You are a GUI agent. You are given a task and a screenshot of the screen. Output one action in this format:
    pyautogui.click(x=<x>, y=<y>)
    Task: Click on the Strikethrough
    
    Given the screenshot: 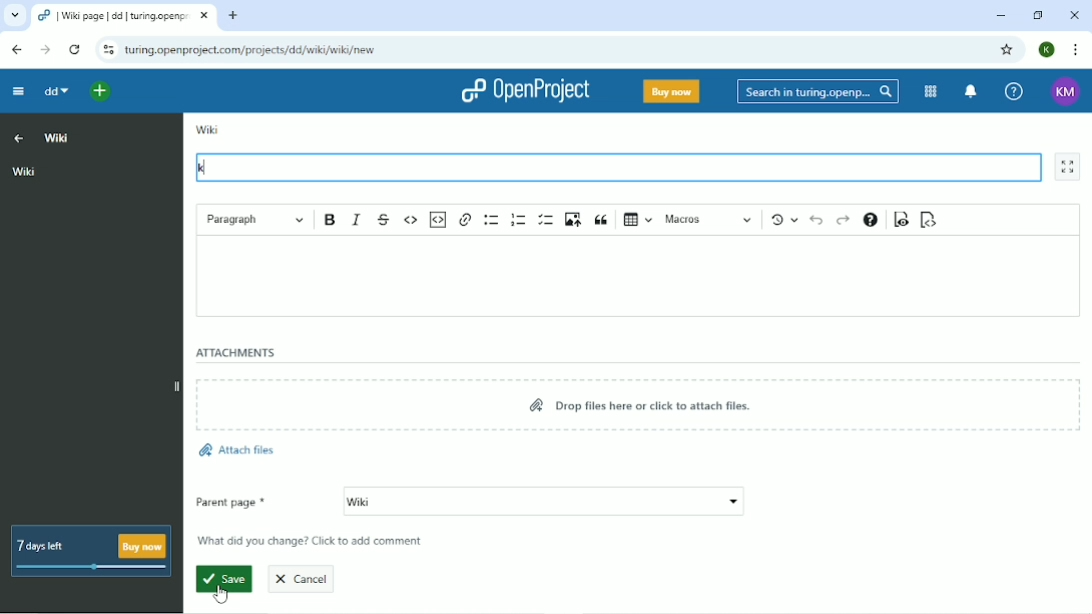 What is the action you would take?
    pyautogui.click(x=381, y=218)
    